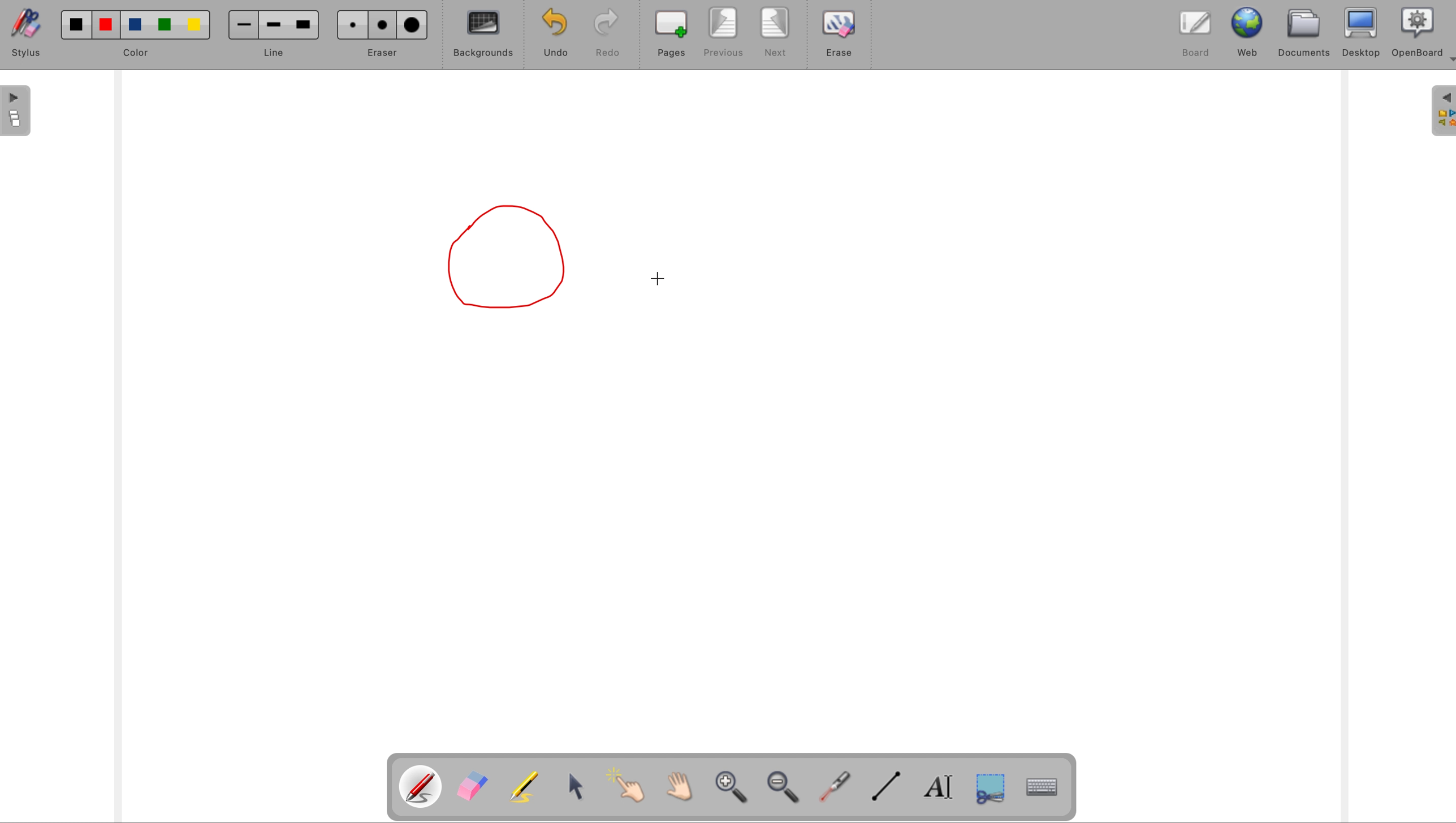  What do you see at coordinates (511, 259) in the screenshot?
I see `drawn shape` at bounding box center [511, 259].